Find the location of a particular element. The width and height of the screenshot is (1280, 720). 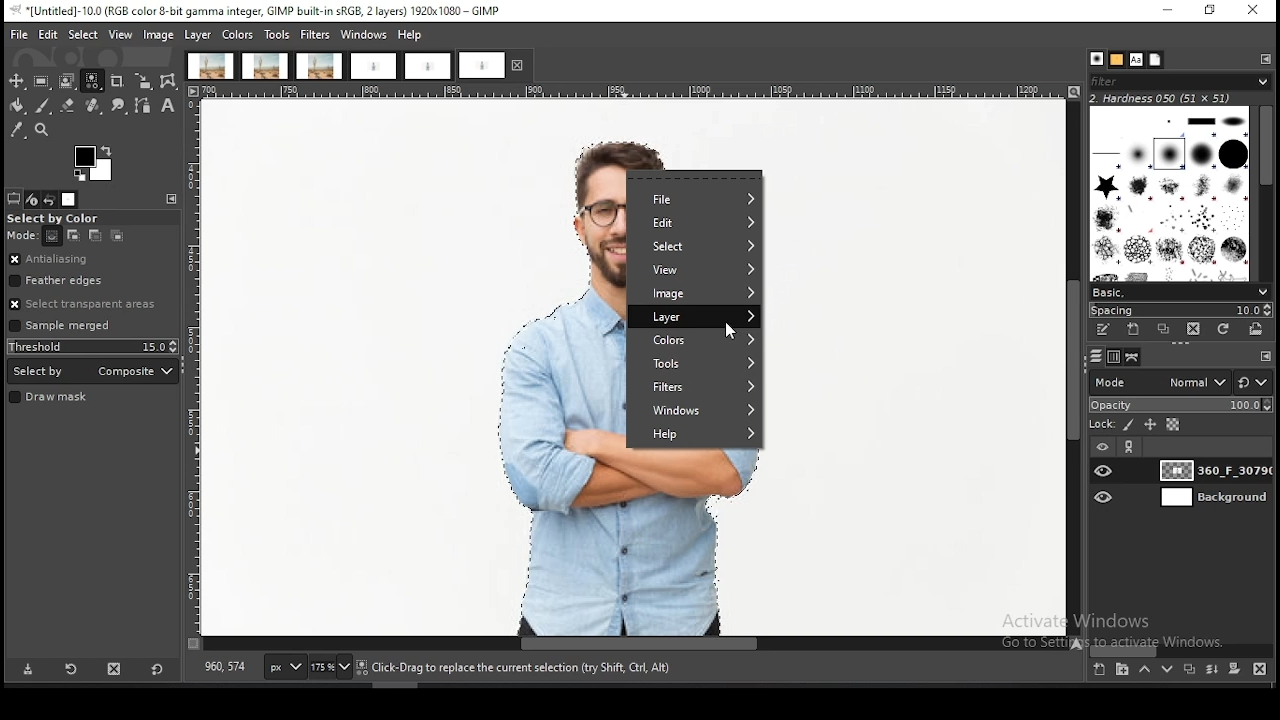

move tool is located at coordinates (16, 81).